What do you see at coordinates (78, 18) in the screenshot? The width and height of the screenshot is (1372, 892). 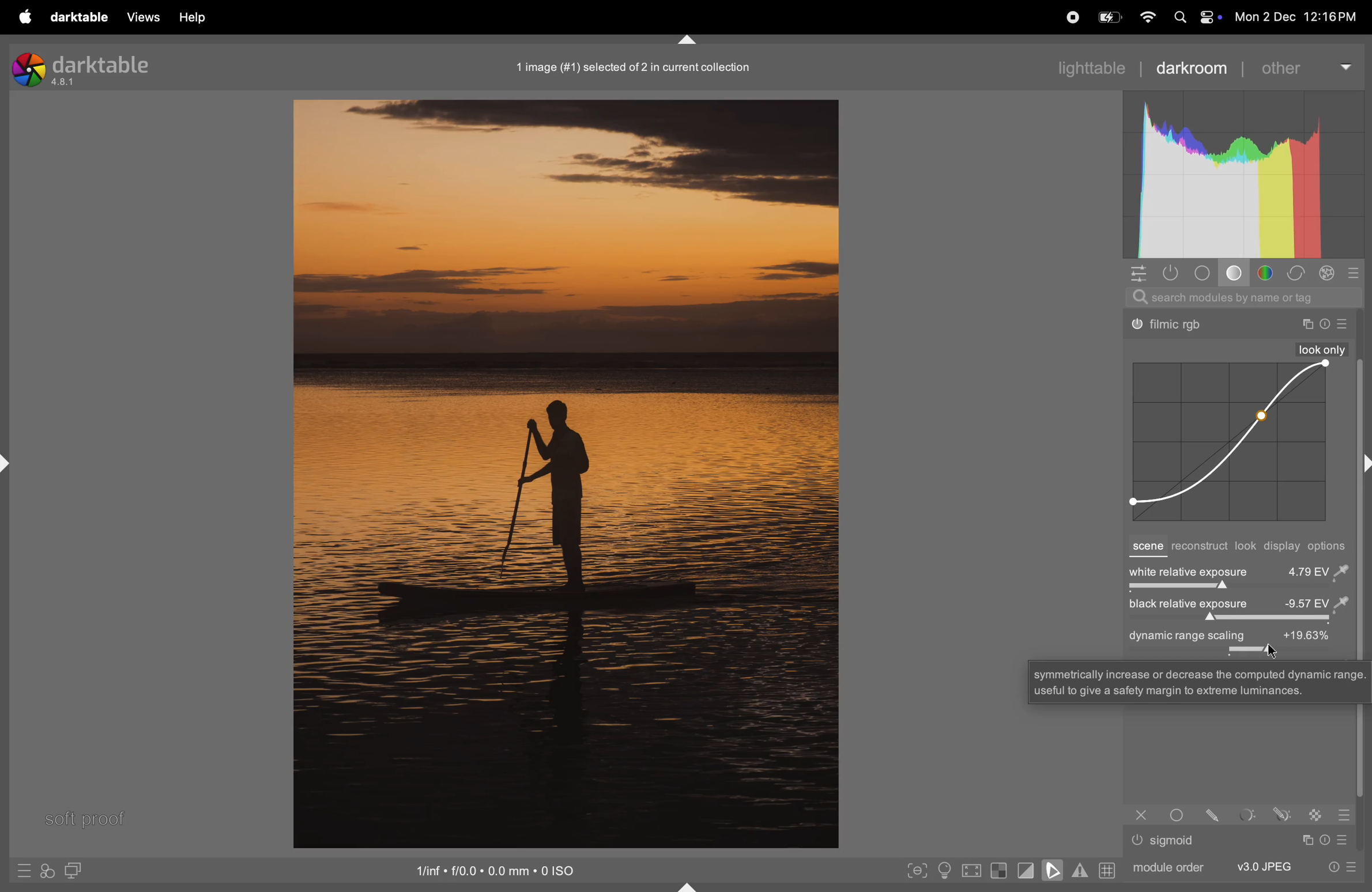 I see `darktable` at bounding box center [78, 18].